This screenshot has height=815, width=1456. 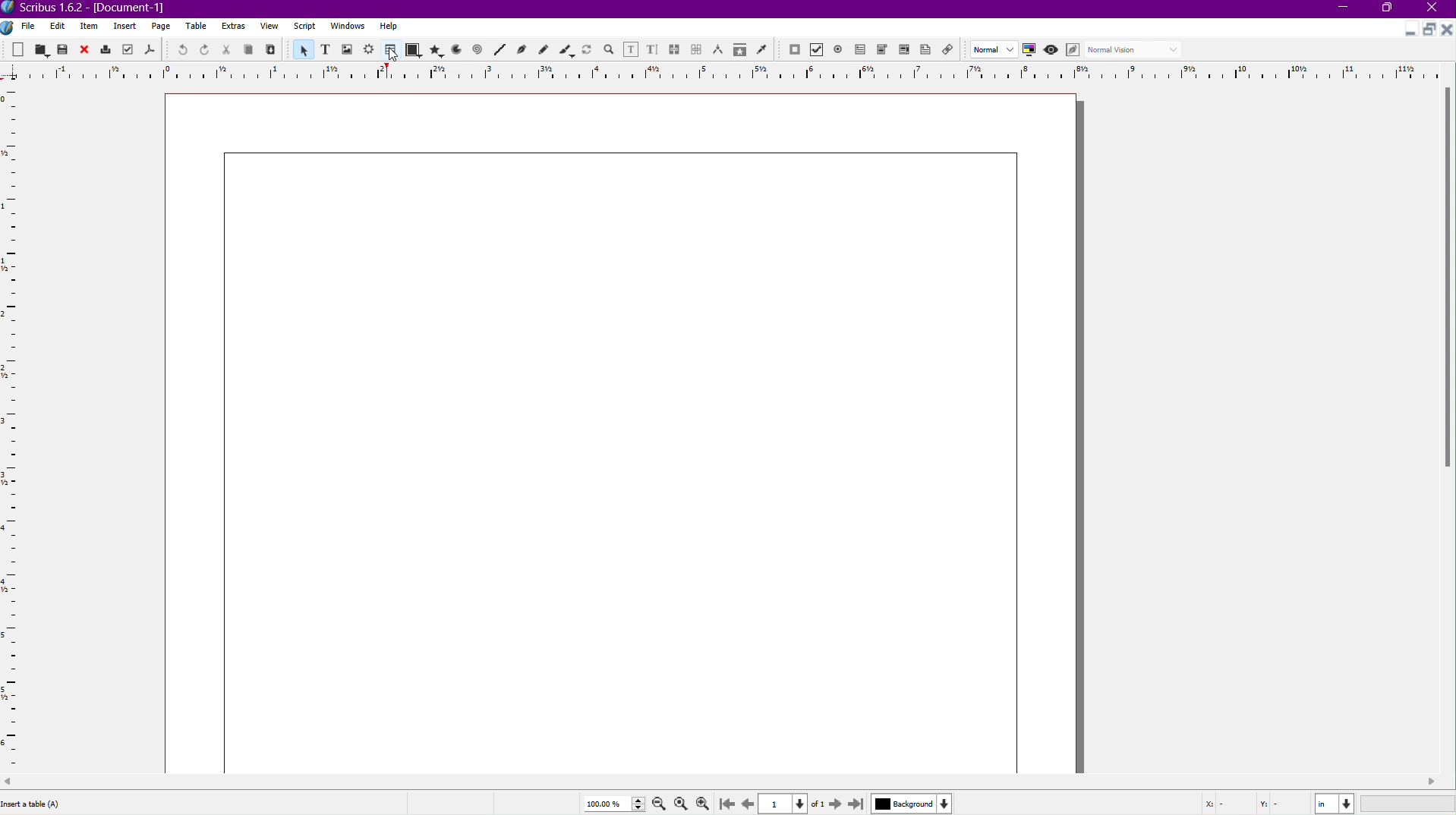 I want to click on PDF Check Box, so click(x=819, y=51).